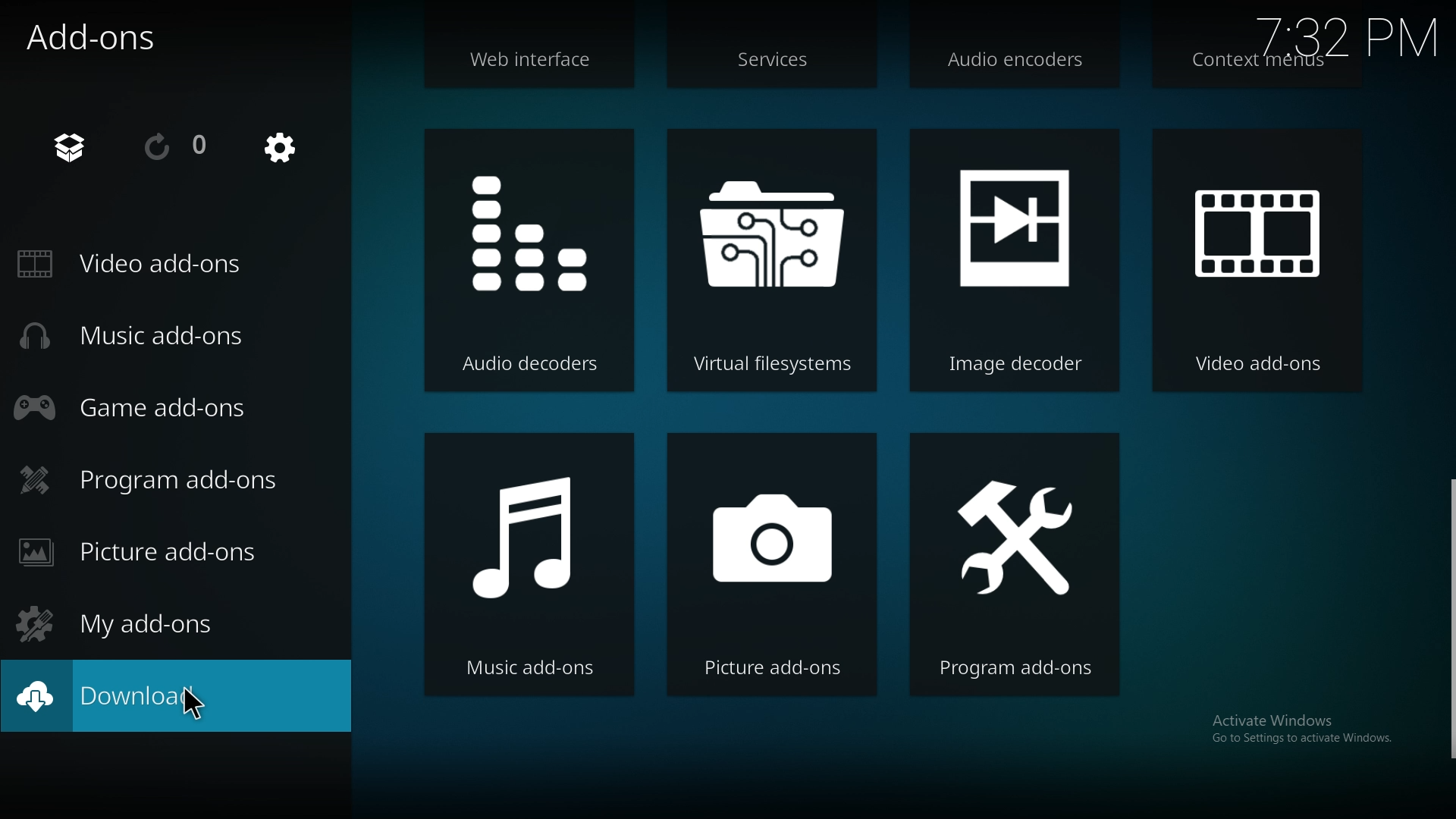 The image size is (1456, 819). What do you see at coordinates (1254, 262) in the screenshot?
I see `video add ons` at bounding box center [1254, 262].